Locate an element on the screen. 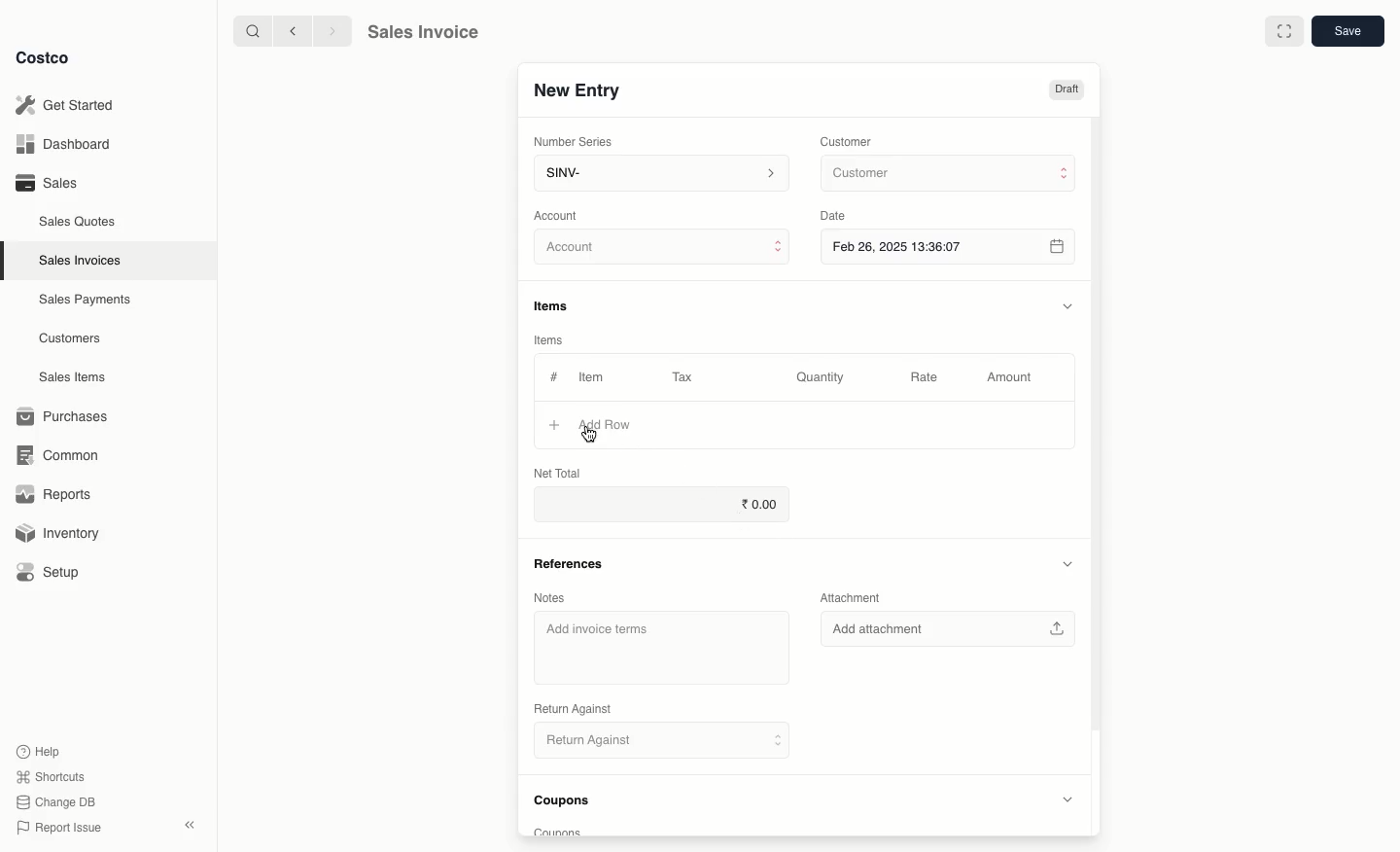 Image resolution: width=1400 pixels, height=852 pixels. Sales Invoices is located at coordinates (81, 261).